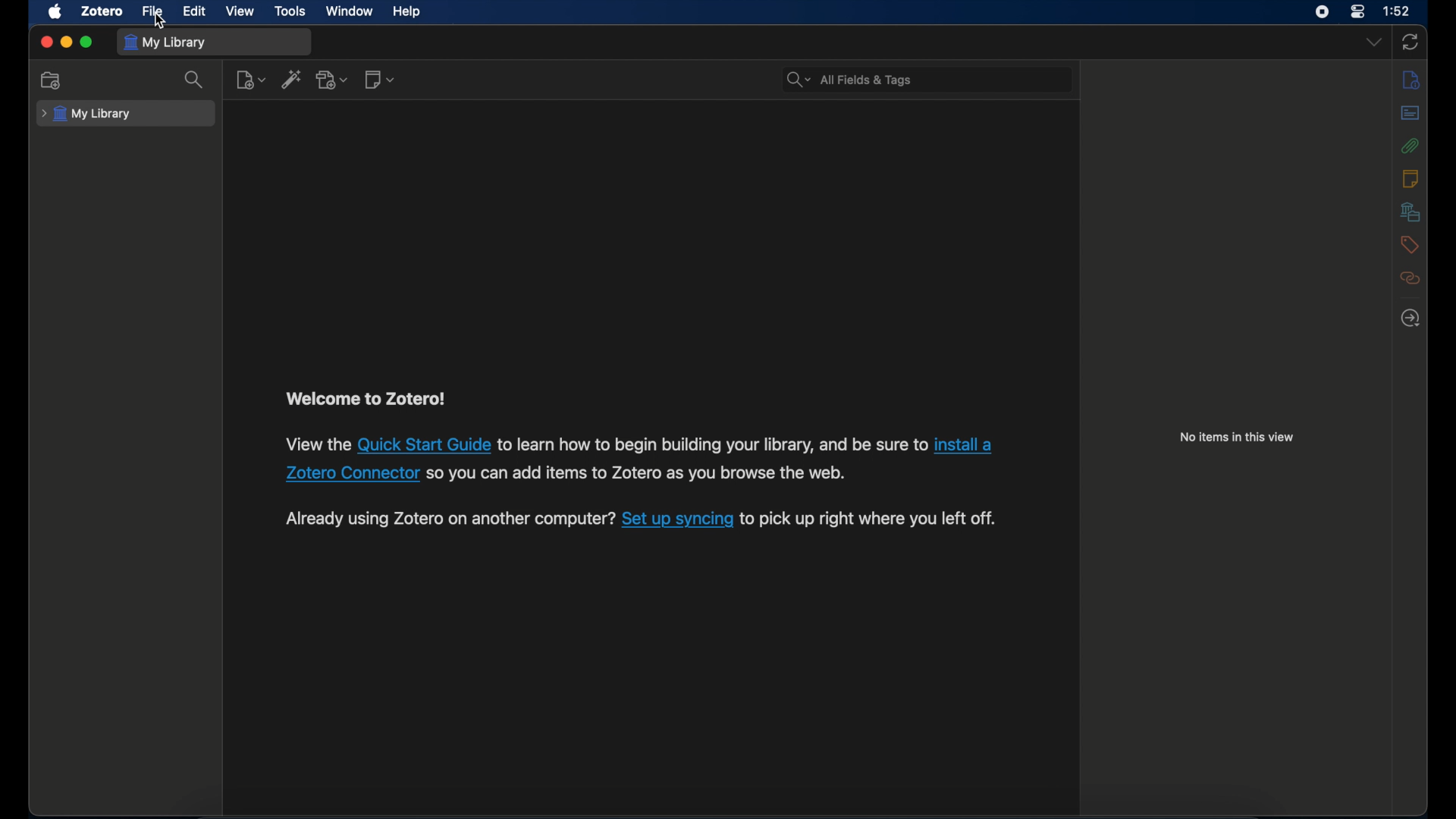  What do you see at coordinates (965, 444) in the screenshot?
I see `install a` at bounding box center [965, 444].